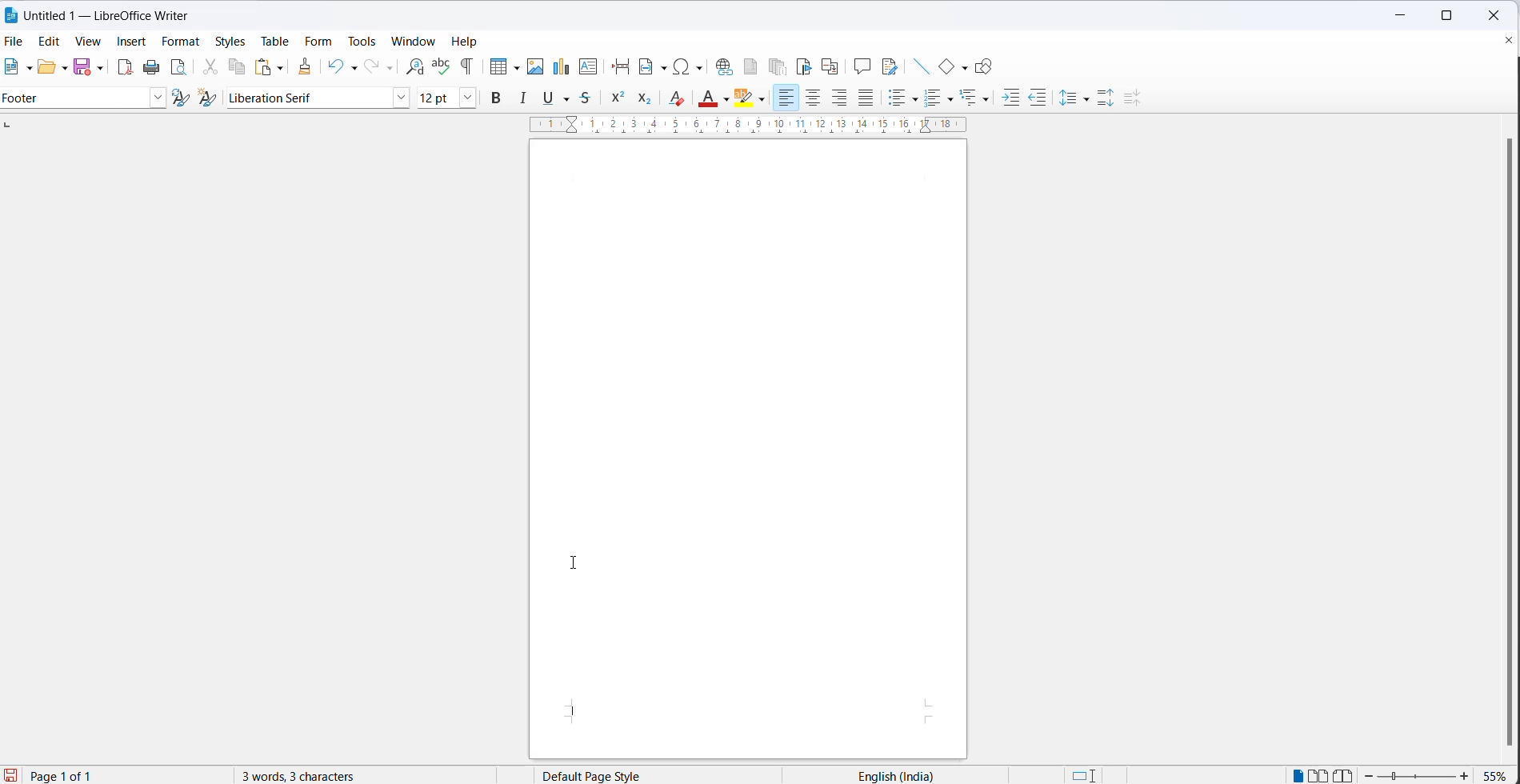  I want to click on insert text, so click(591, 66).